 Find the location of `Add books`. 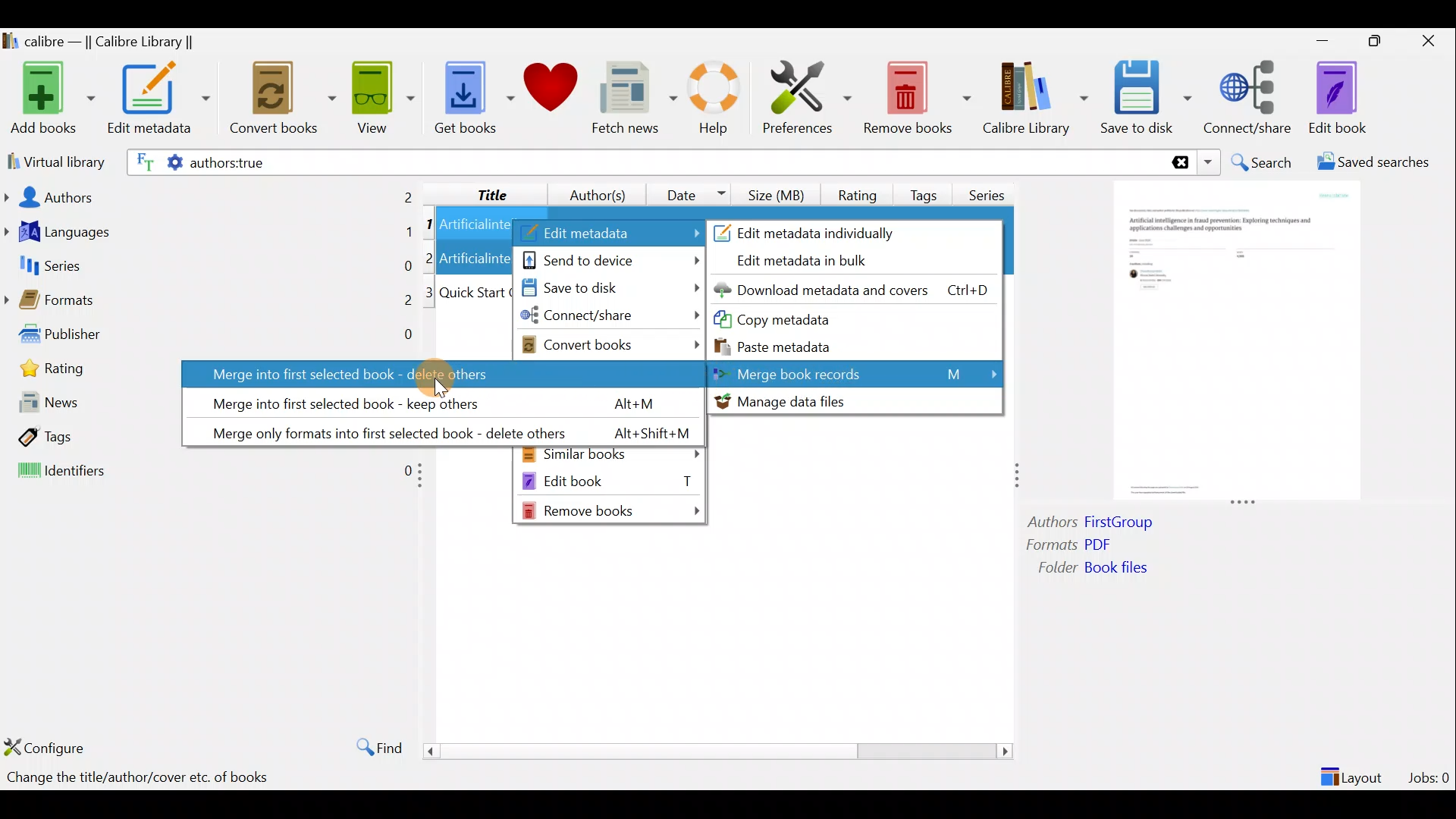

Add books is located at coordinates (50, 99).